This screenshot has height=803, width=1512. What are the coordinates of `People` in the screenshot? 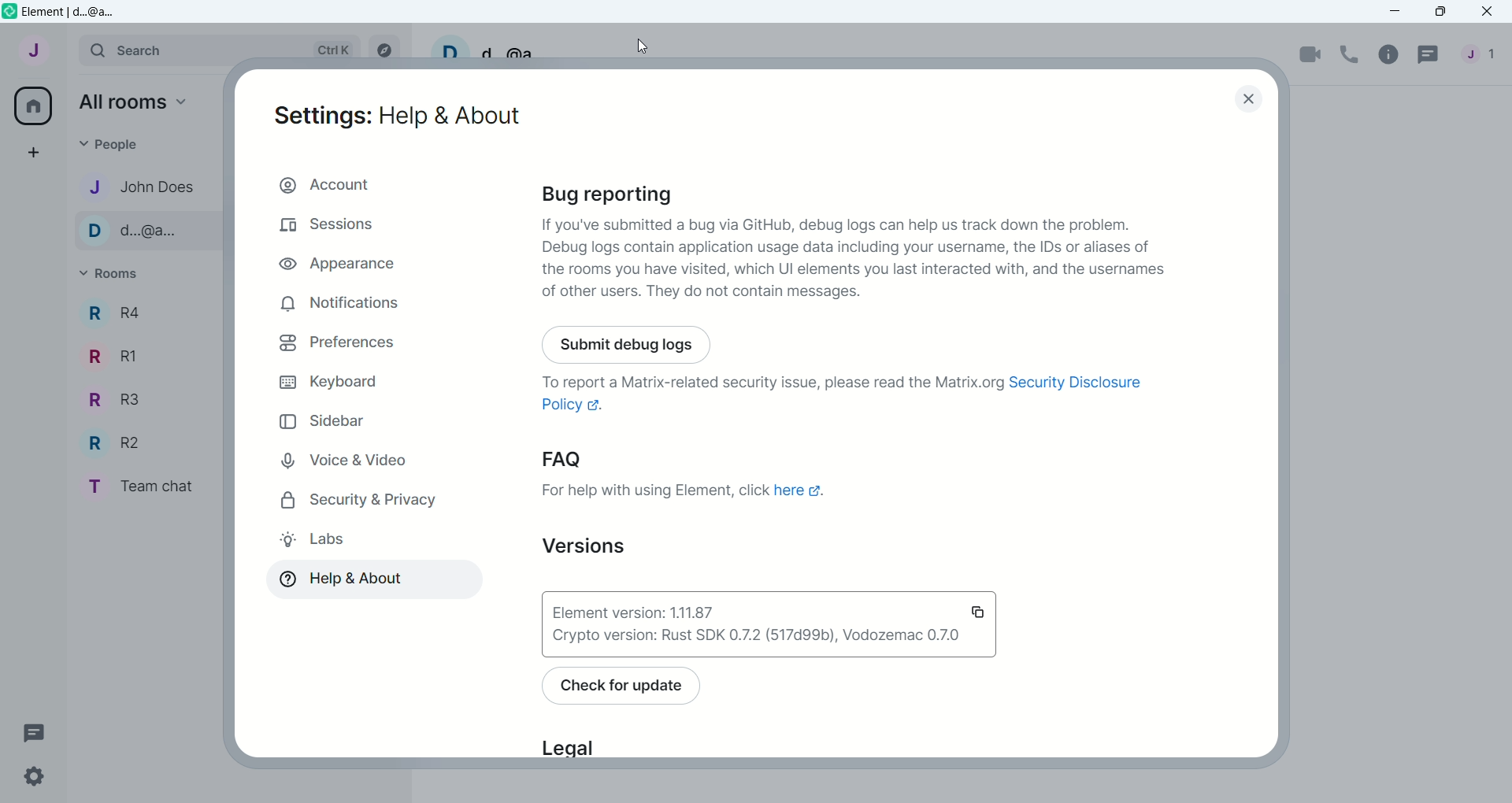 It's located at (1480, 54).